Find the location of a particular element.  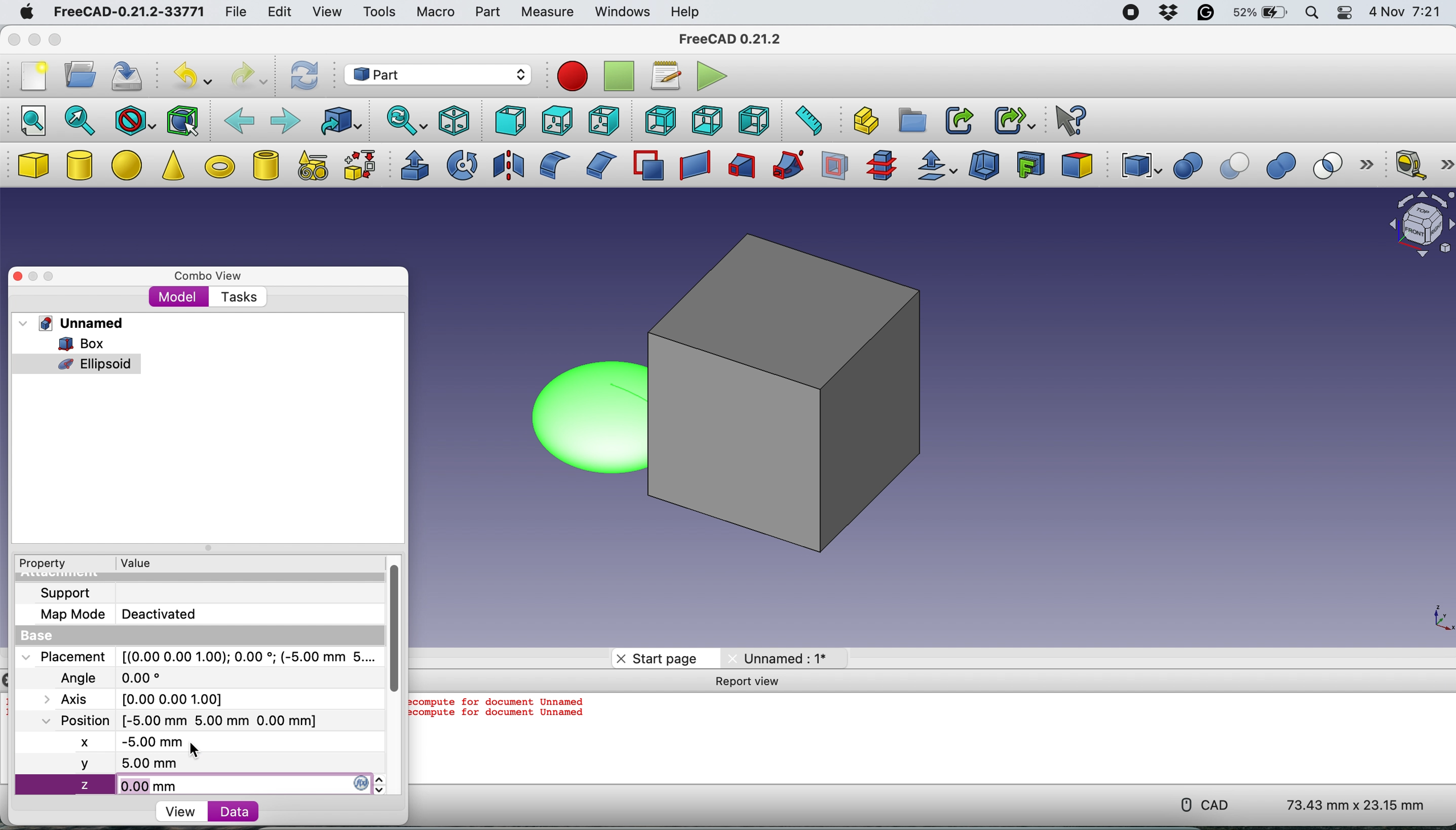

dropbox is located at coordinates (1166, 13).